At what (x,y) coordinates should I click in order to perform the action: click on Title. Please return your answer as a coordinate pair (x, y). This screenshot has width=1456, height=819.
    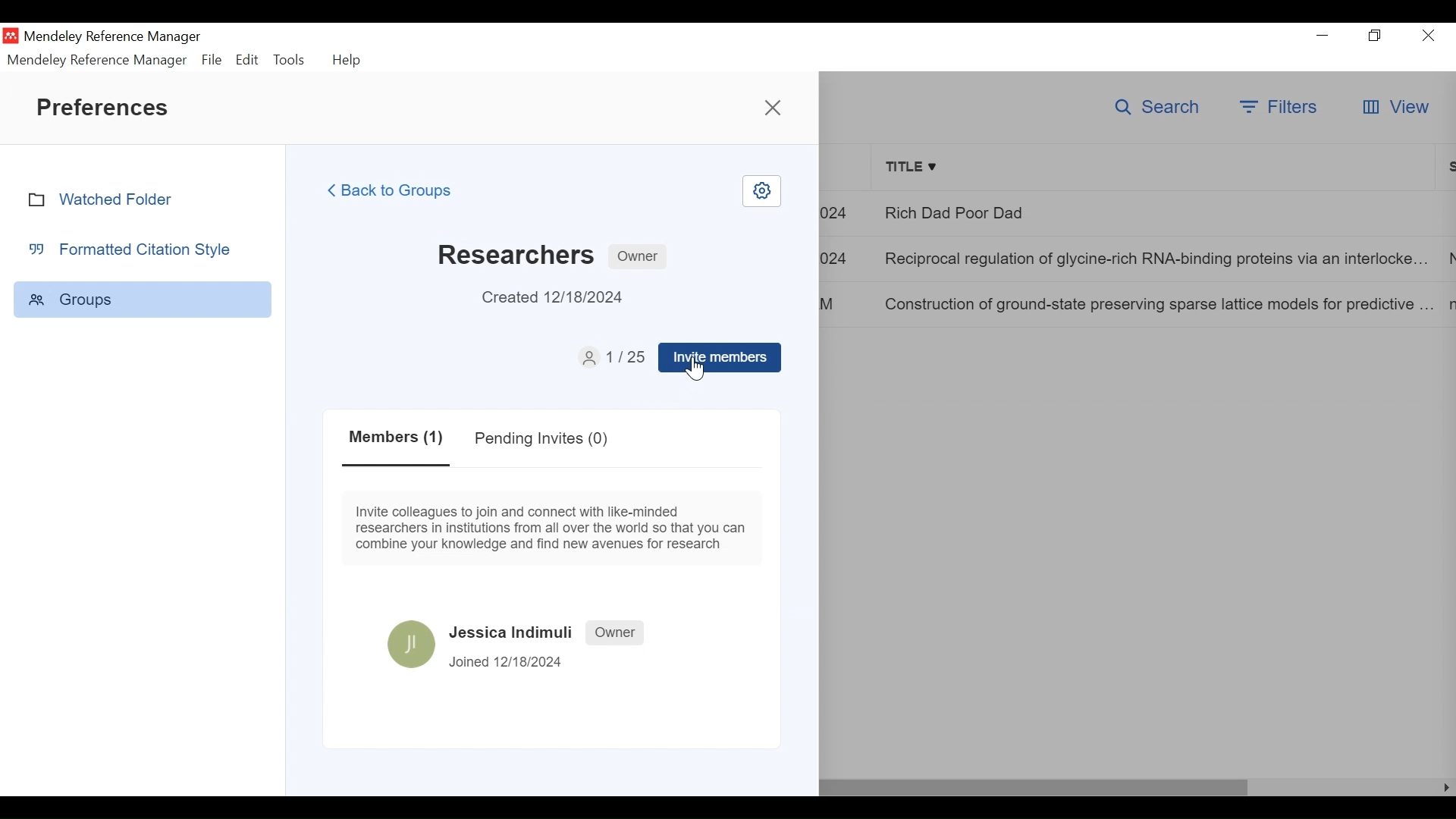
    Looking at the image, I should click on (1156, 168).